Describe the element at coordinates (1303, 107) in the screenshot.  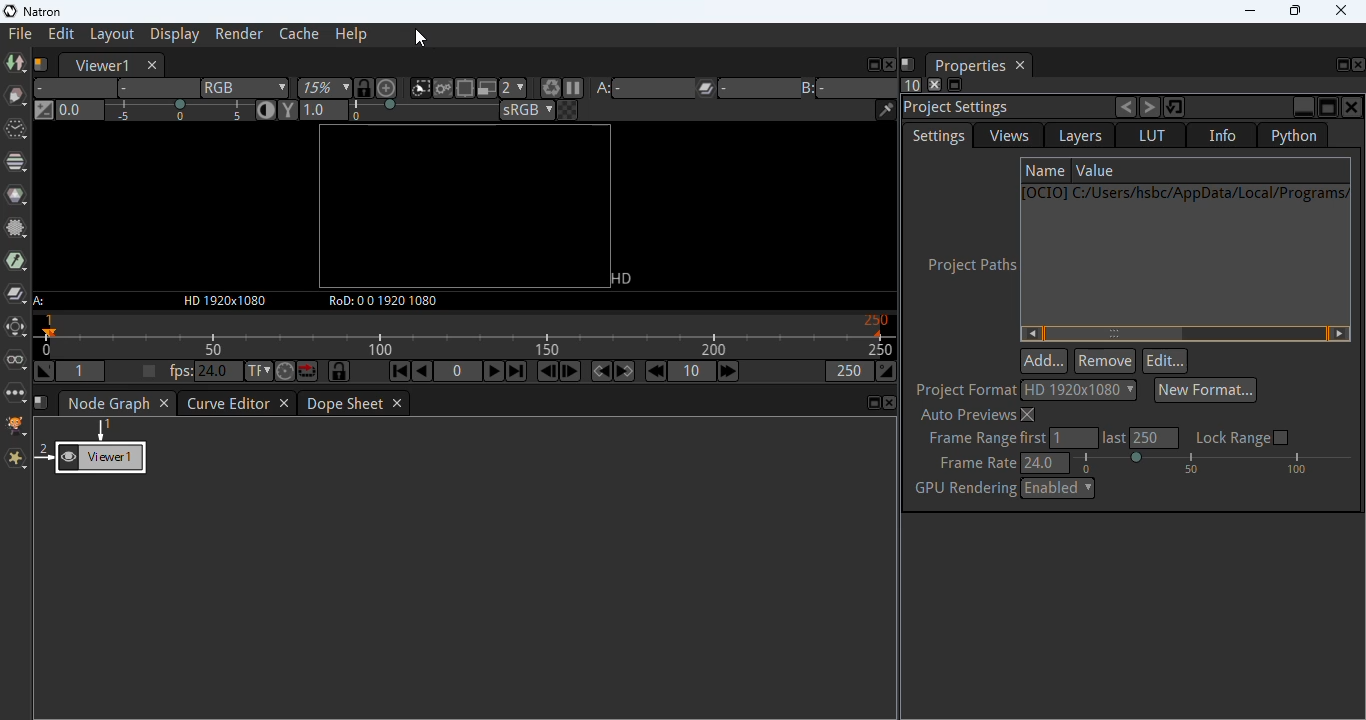
I see `minimize` at that location.